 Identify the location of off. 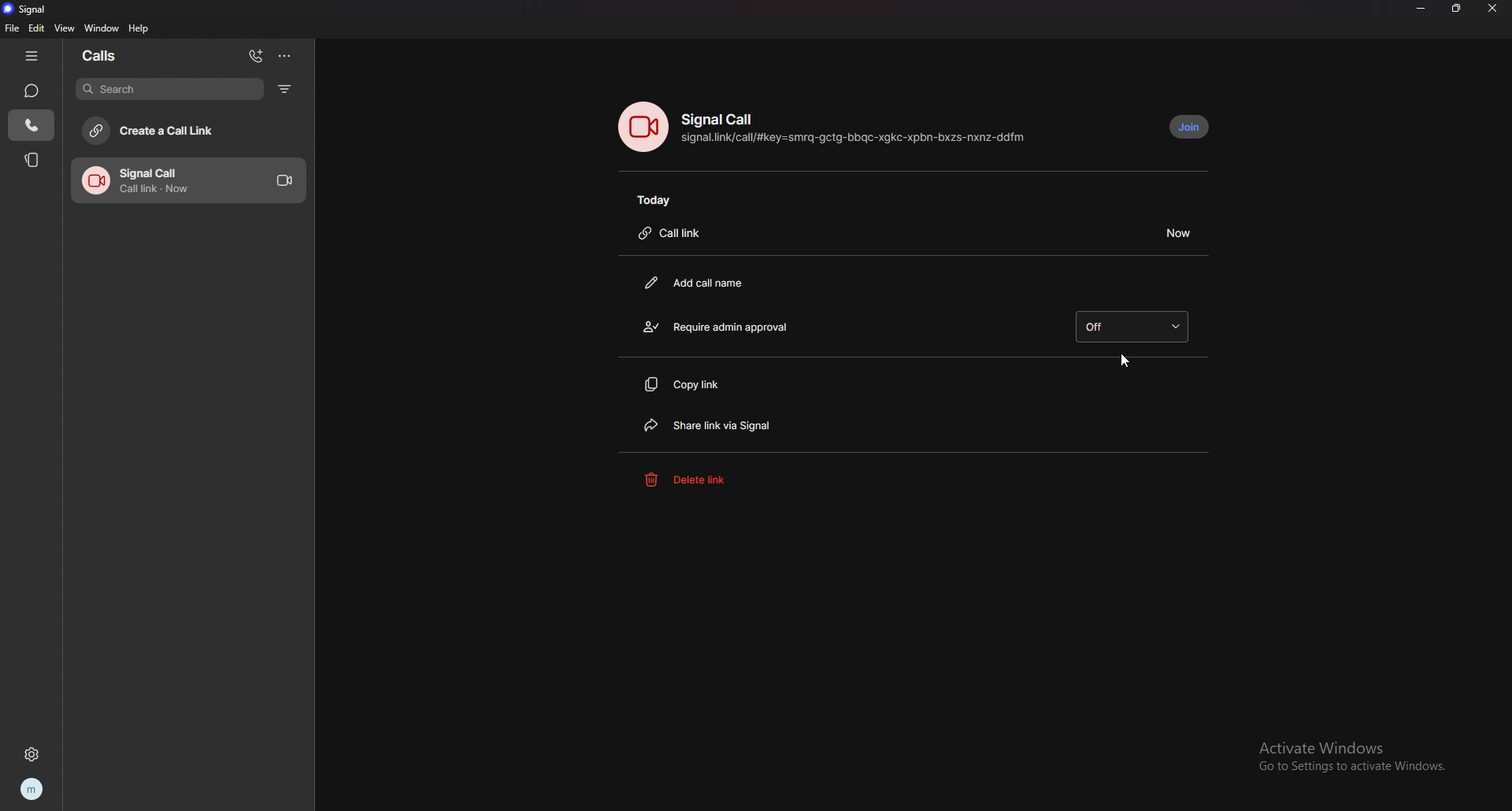
(1132, 325).